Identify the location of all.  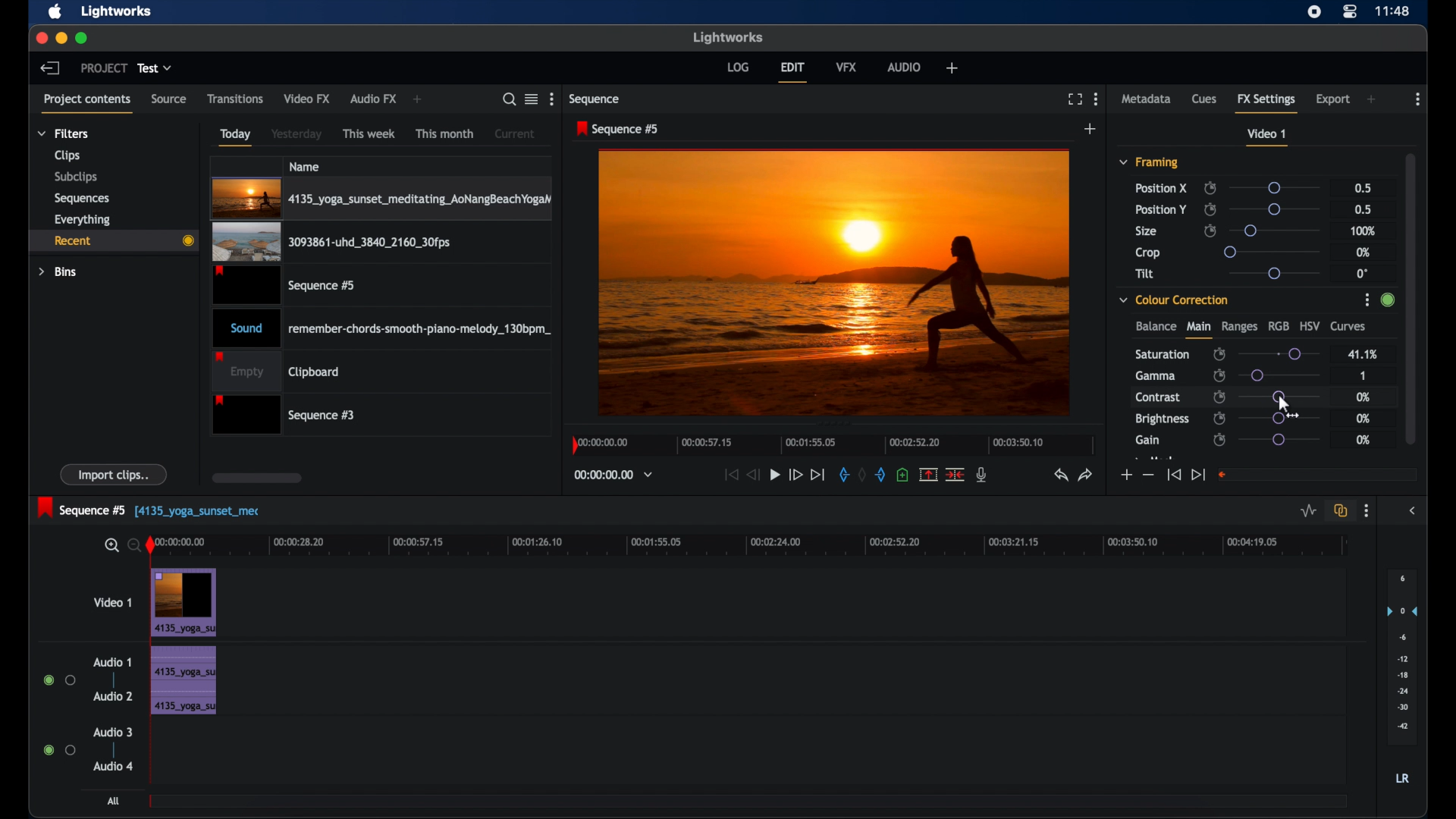
(114, 801).